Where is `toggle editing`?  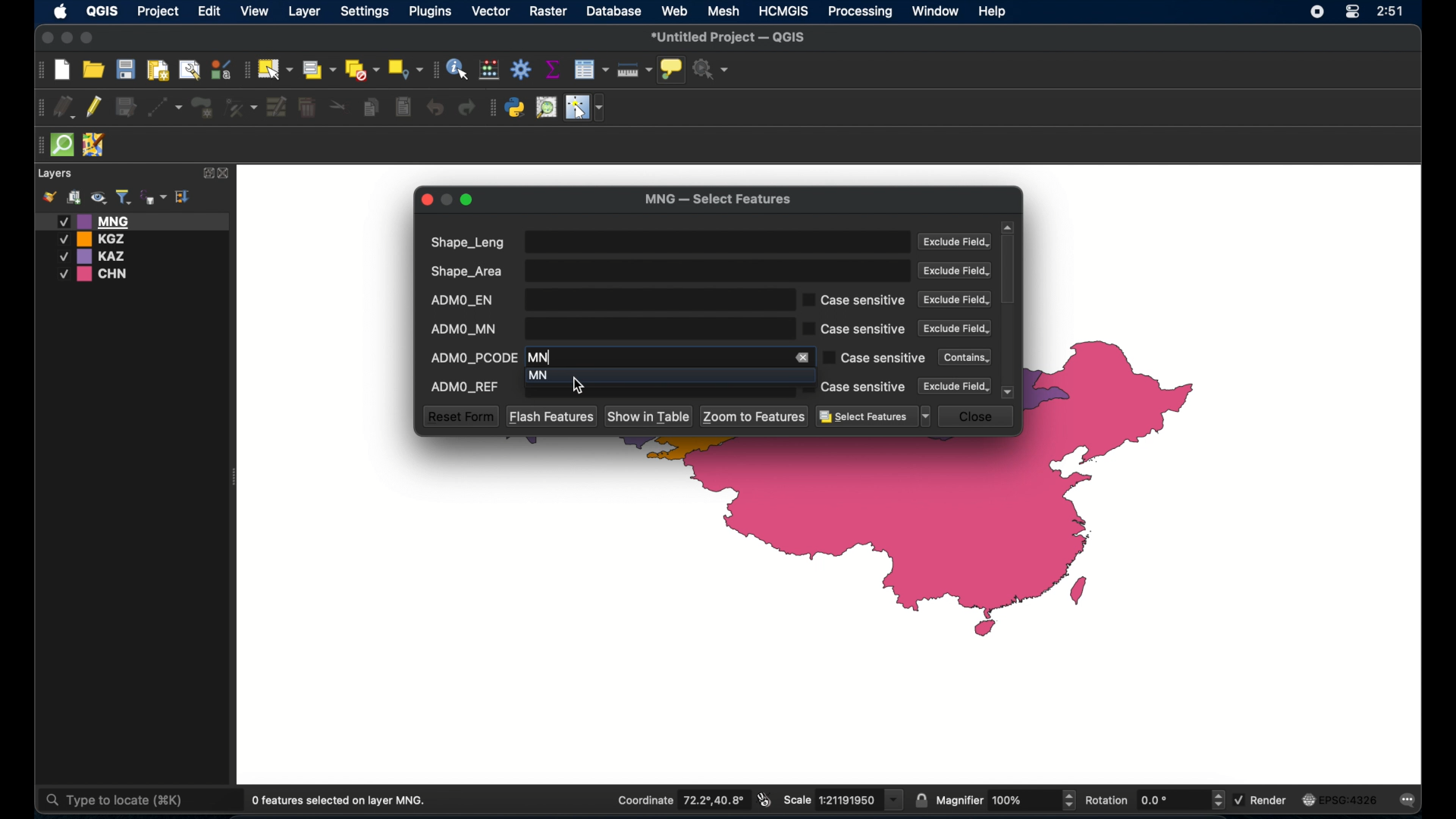 toggle editing is located at coordinates (96, 108).